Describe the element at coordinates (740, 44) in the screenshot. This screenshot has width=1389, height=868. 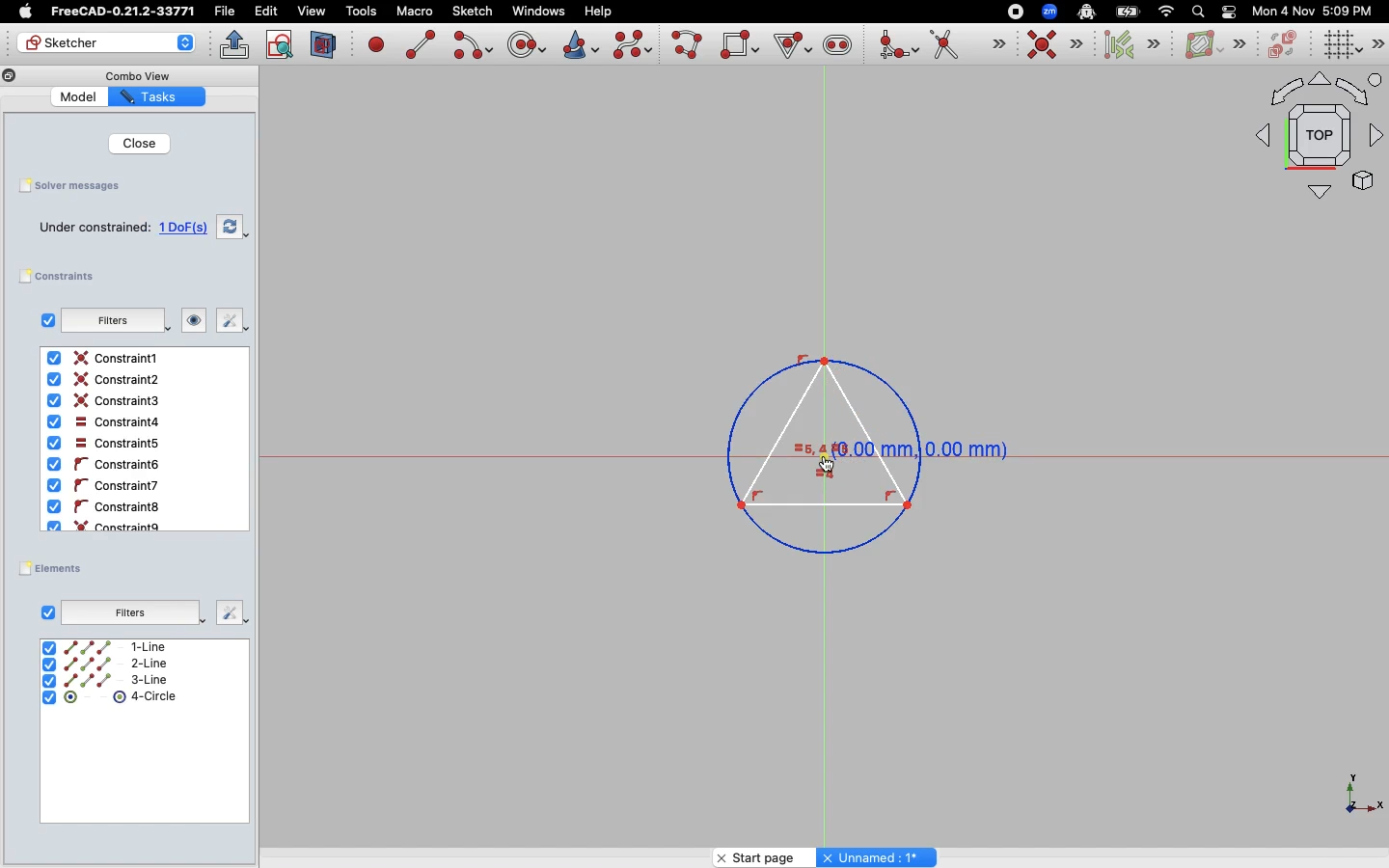
I see `Create rectangle` at that location.